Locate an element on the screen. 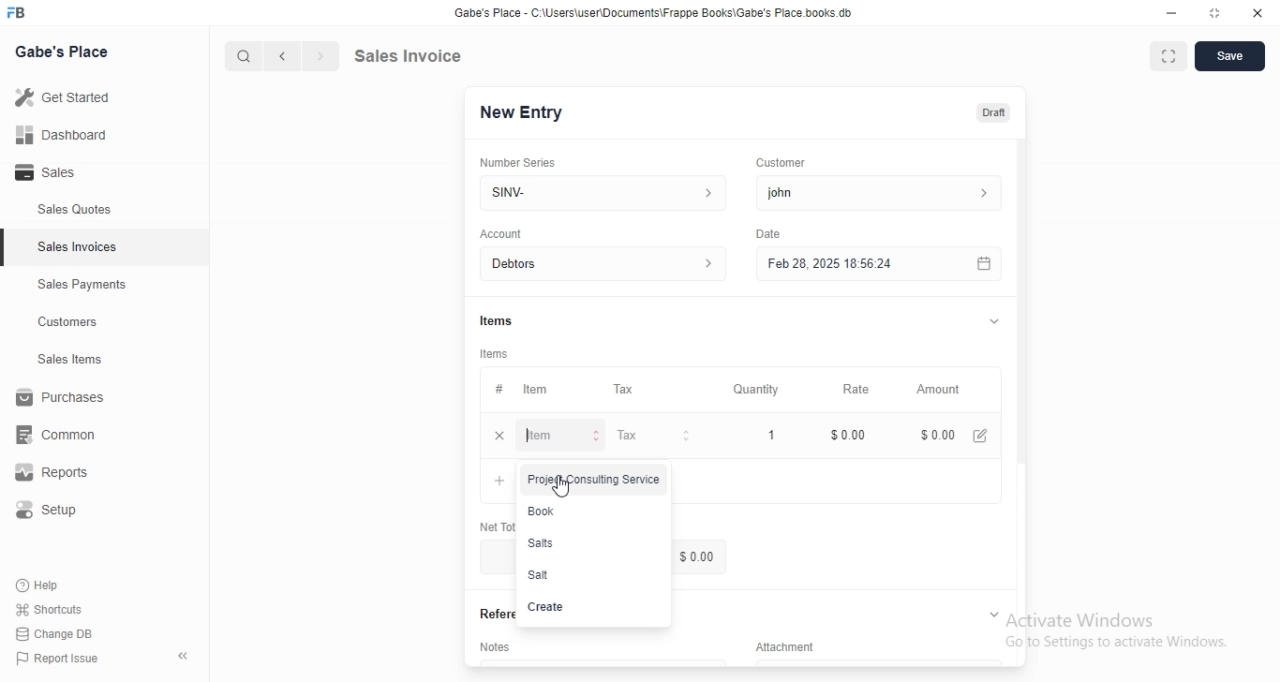 This screenshot has width=1280, height=682. Project Consulting Service is located at coordinates (593, 480).